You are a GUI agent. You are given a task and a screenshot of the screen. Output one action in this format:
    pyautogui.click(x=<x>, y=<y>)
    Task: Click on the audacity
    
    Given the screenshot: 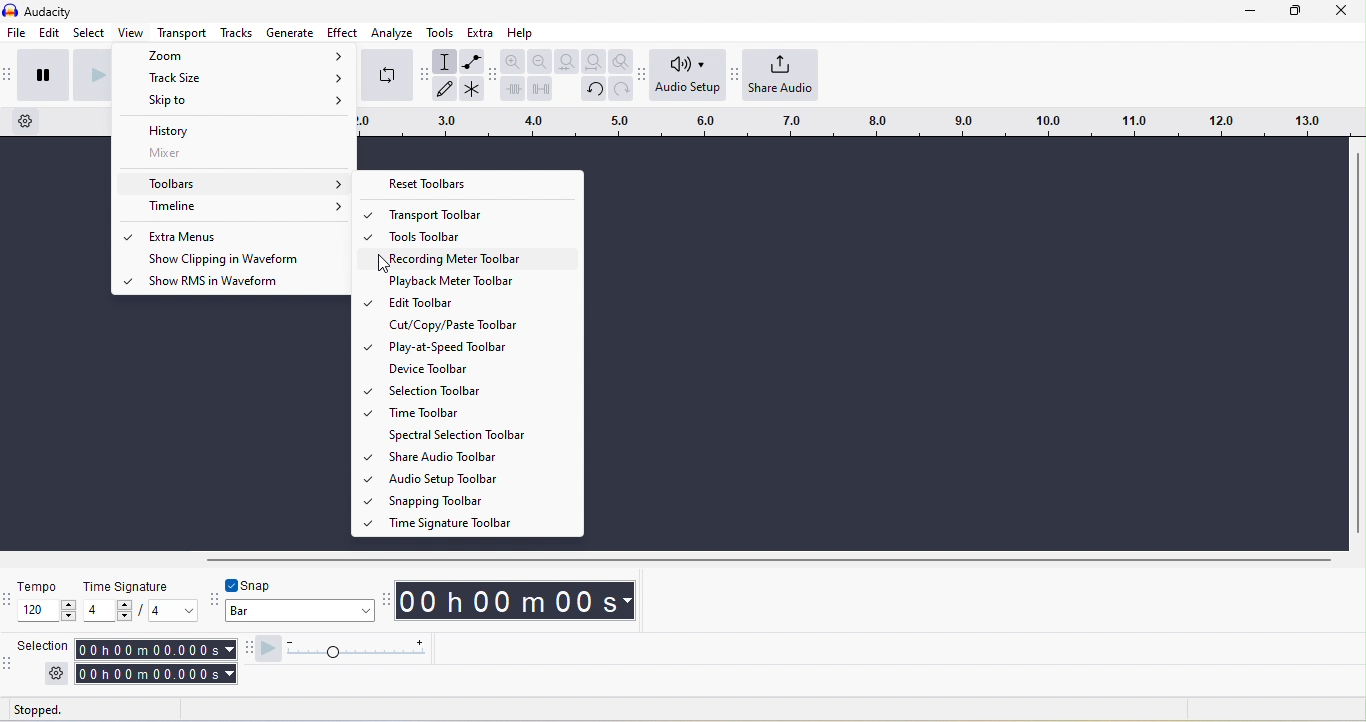 What is the action you would take?
    pyautogui.click(x=48, y=12)
    